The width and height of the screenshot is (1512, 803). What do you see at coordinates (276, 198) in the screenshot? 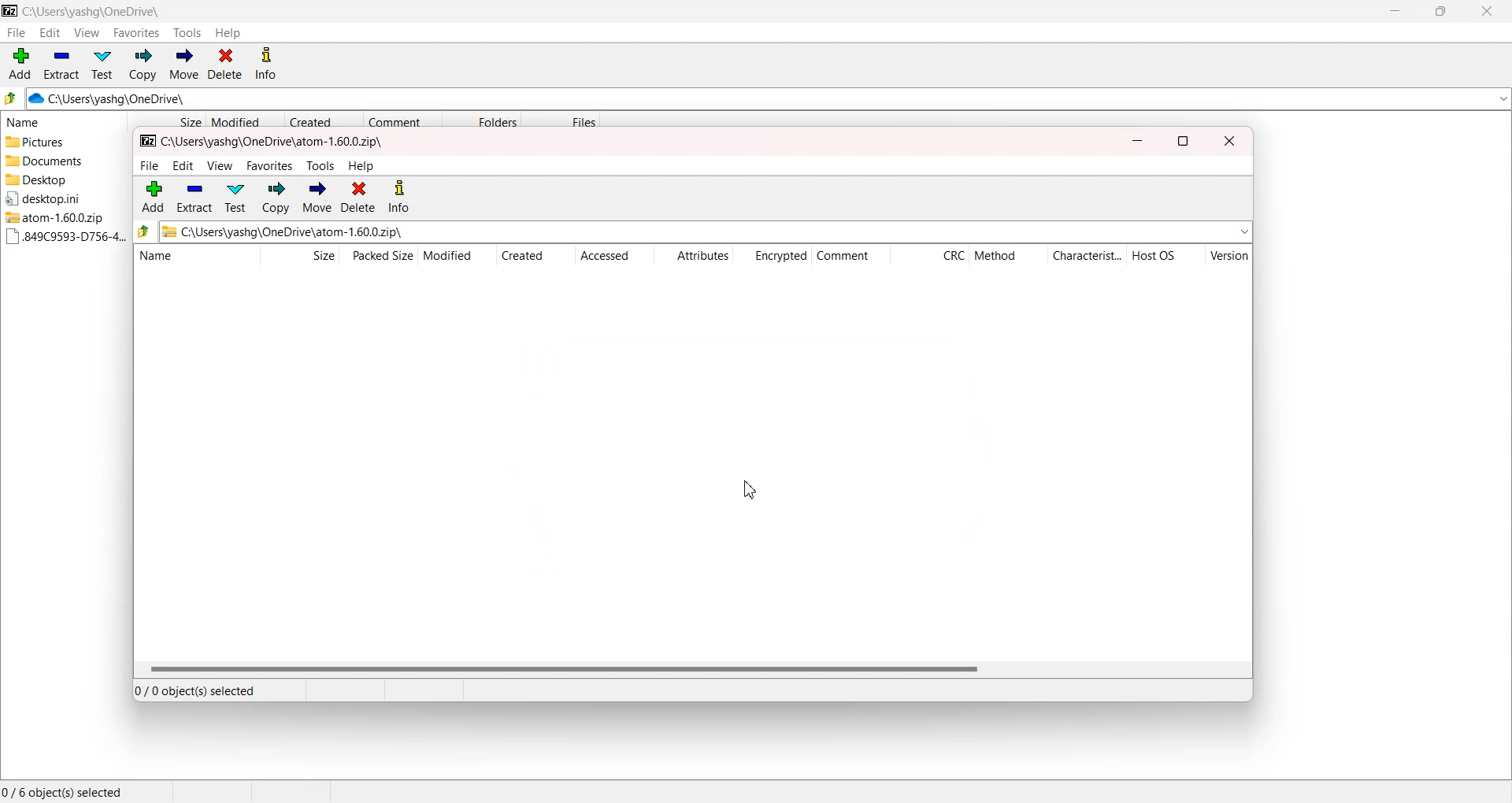
I see `copy` at bounding box center [276, 198].